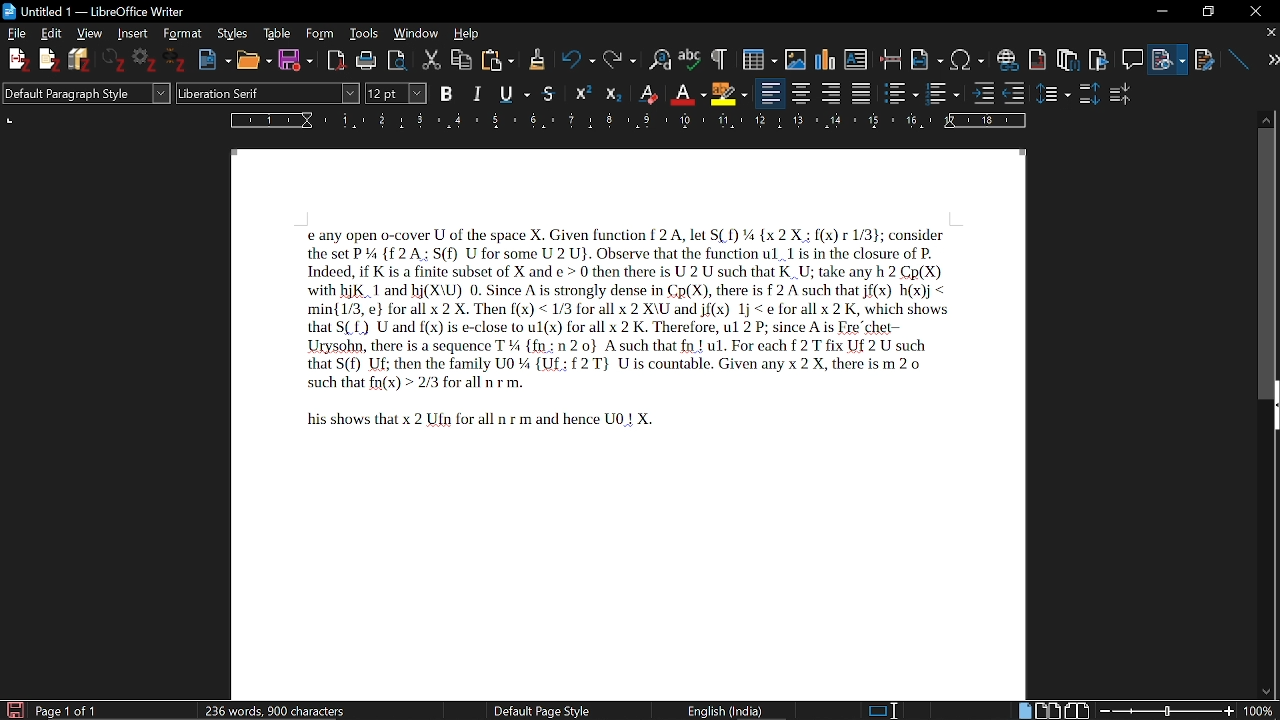  Describe the element at coordinates (733, 709) in the screenshot. I see `English(India)` at that location.